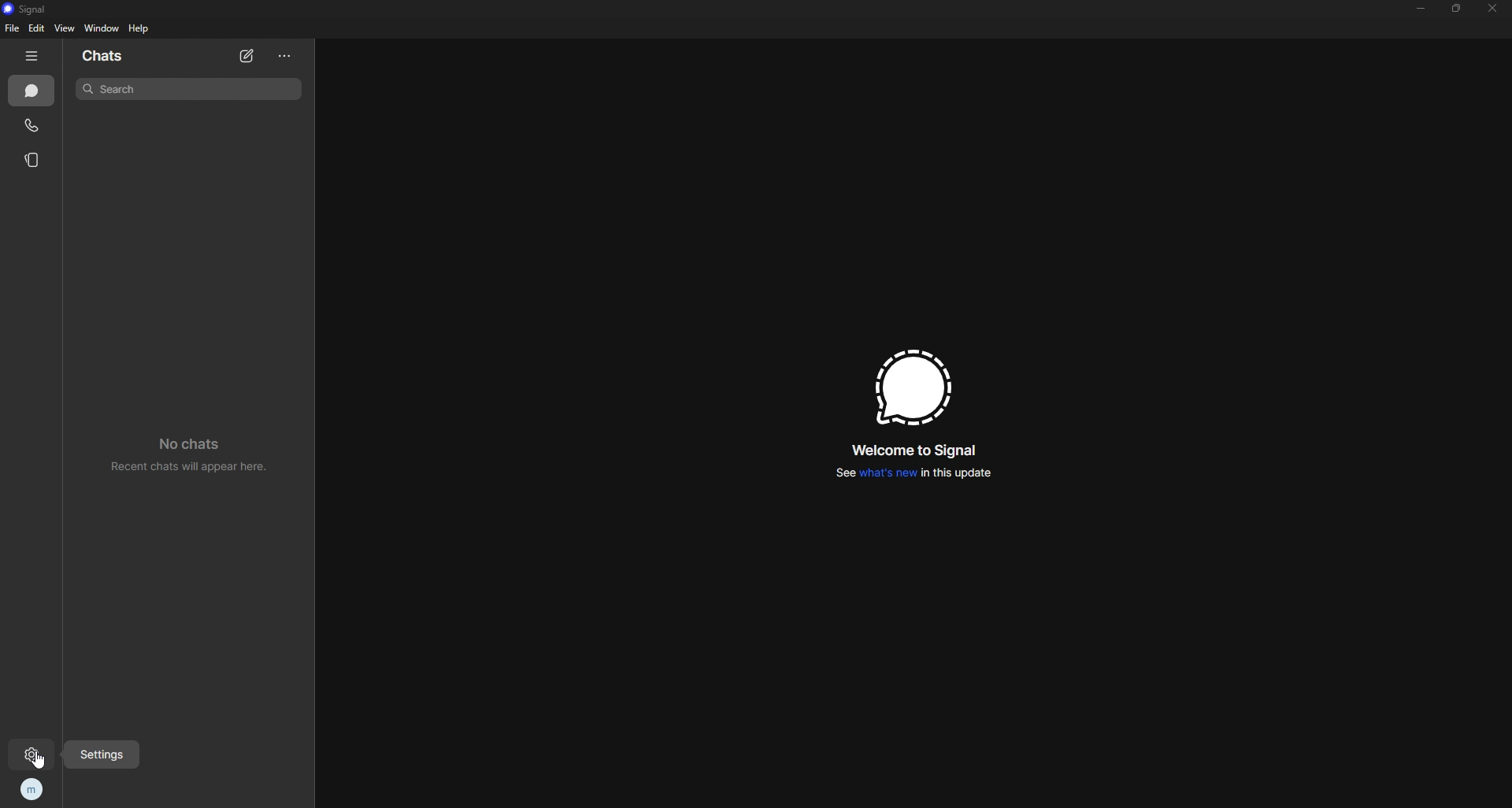 The image size is (1512, 808). What do you see at coordinates (13, 28) in the screenshot?
I see `file` at bounding box center [13, 28].